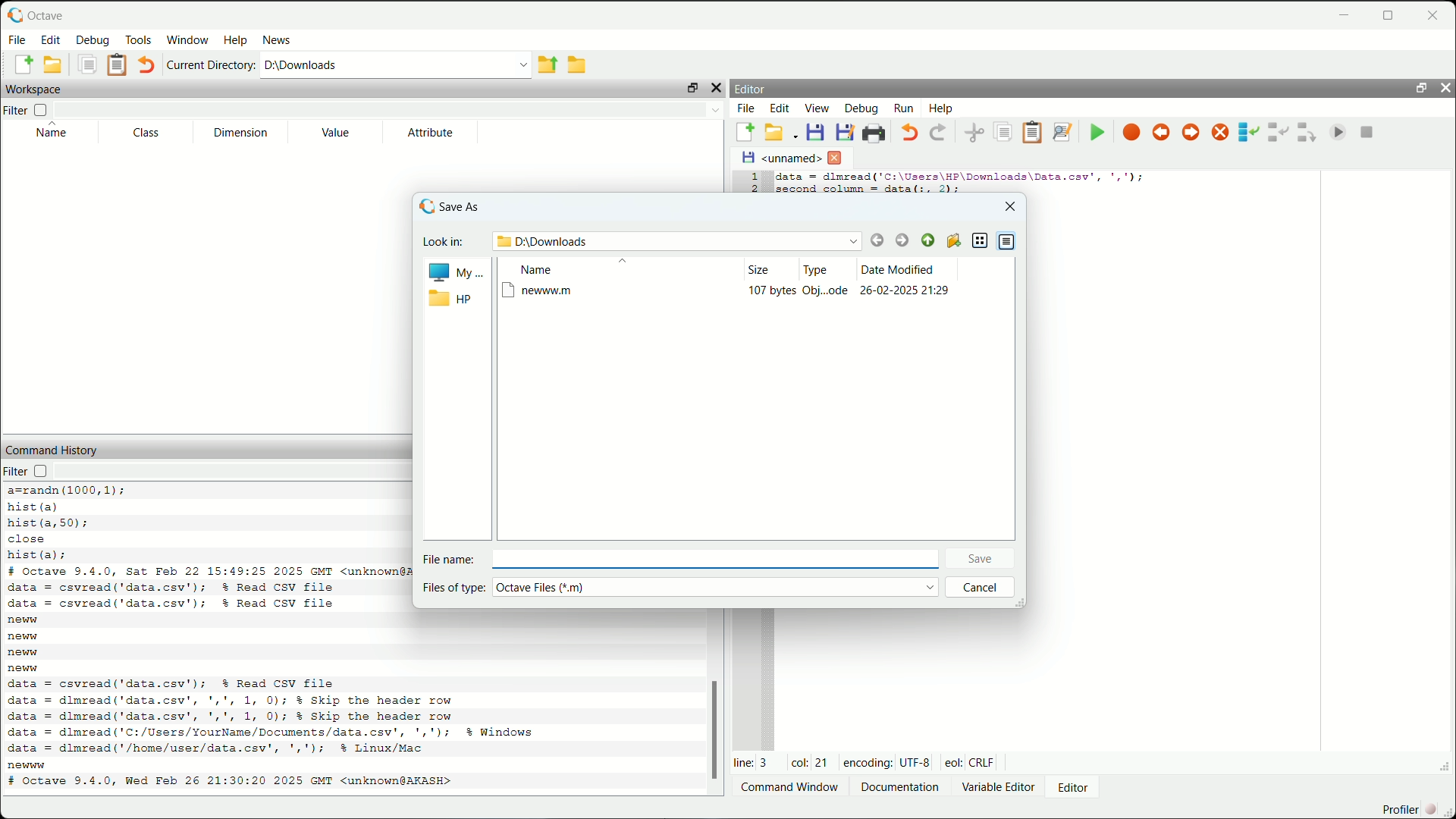 Image resolution: width=1456 pixels, height=819 pixels. Describe the element at coordinates (1437, 11) in the screenshot. I see `close` at that location.